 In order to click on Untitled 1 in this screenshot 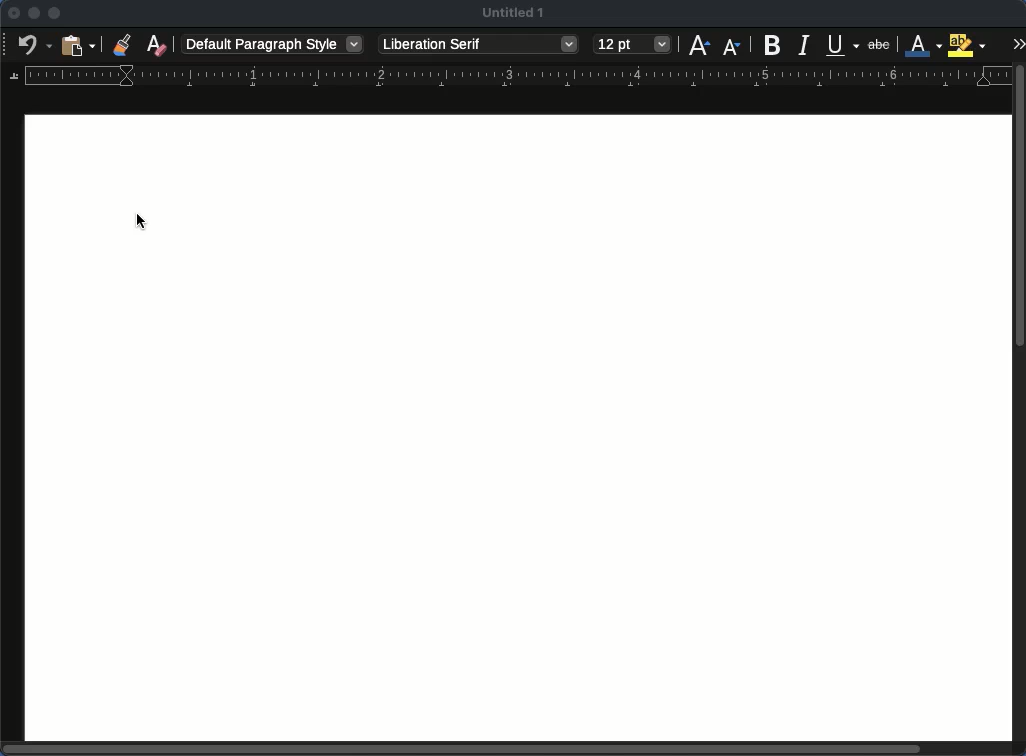, I will do `click(512, 13)`.